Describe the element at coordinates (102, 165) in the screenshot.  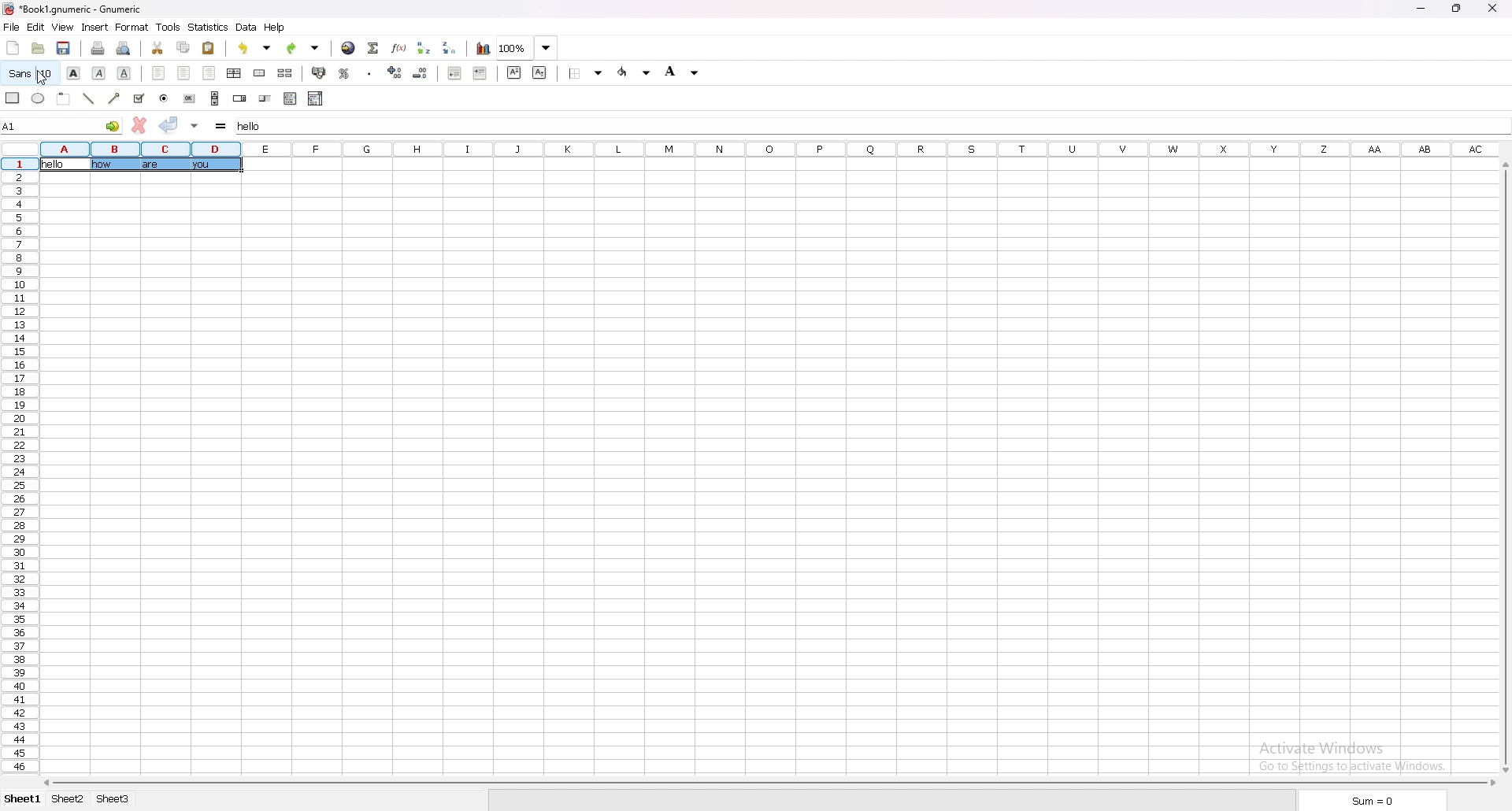
I see `how` at that location.